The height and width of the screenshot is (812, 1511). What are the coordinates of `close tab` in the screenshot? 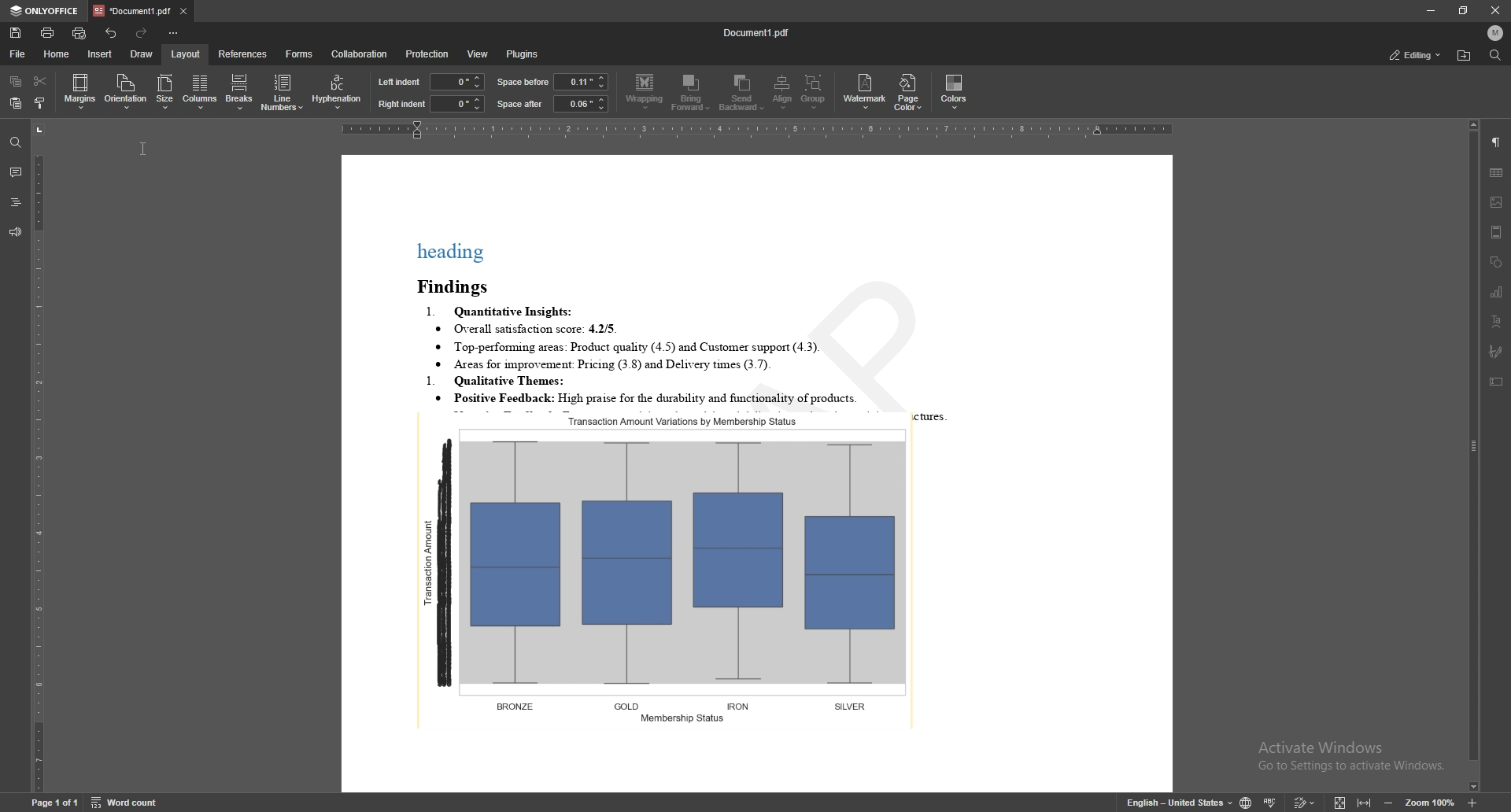 It's located at (183, 10).